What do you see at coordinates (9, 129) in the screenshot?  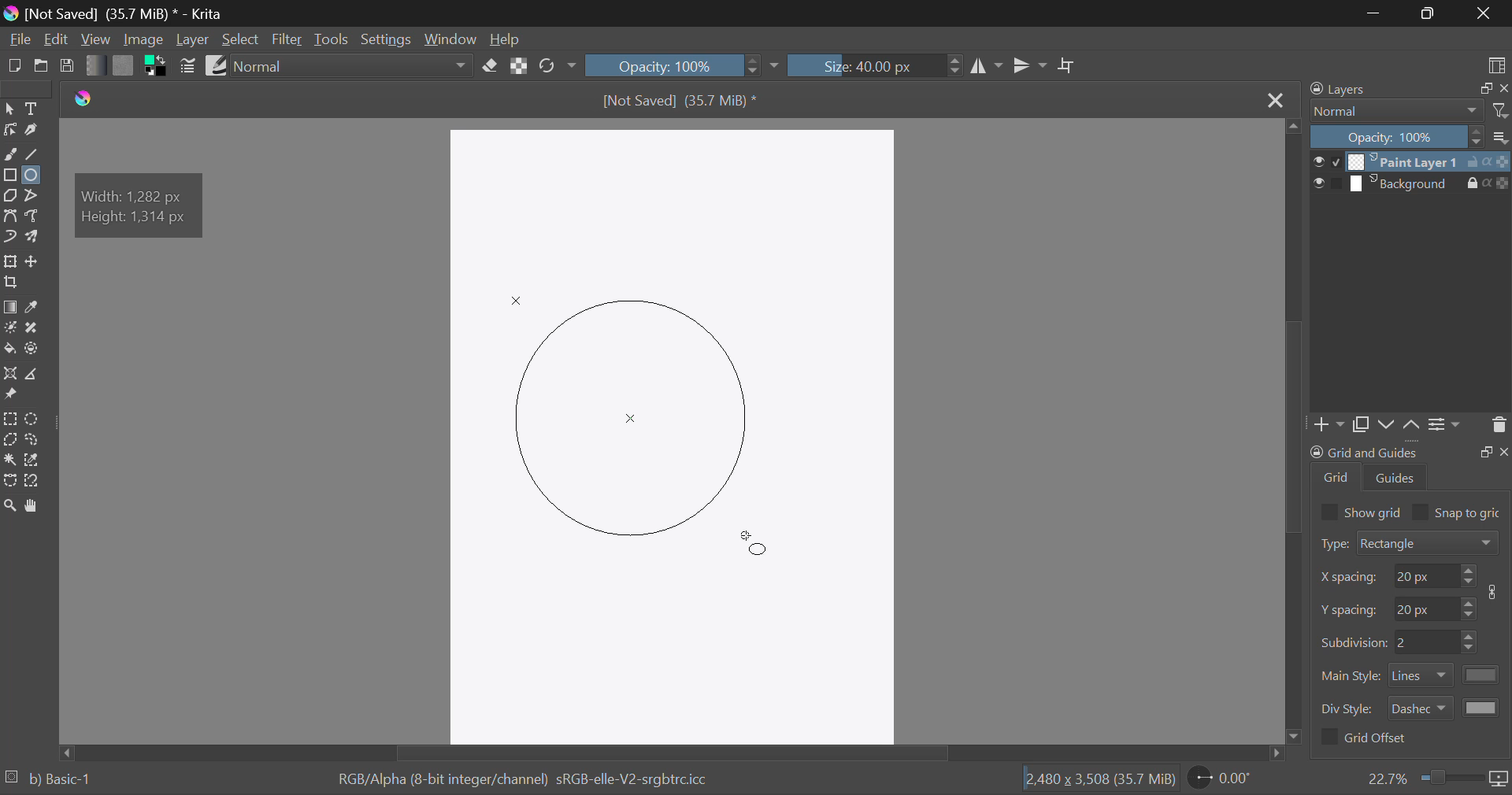 I see `Edit Shapes` at bounding box center [9, 129].